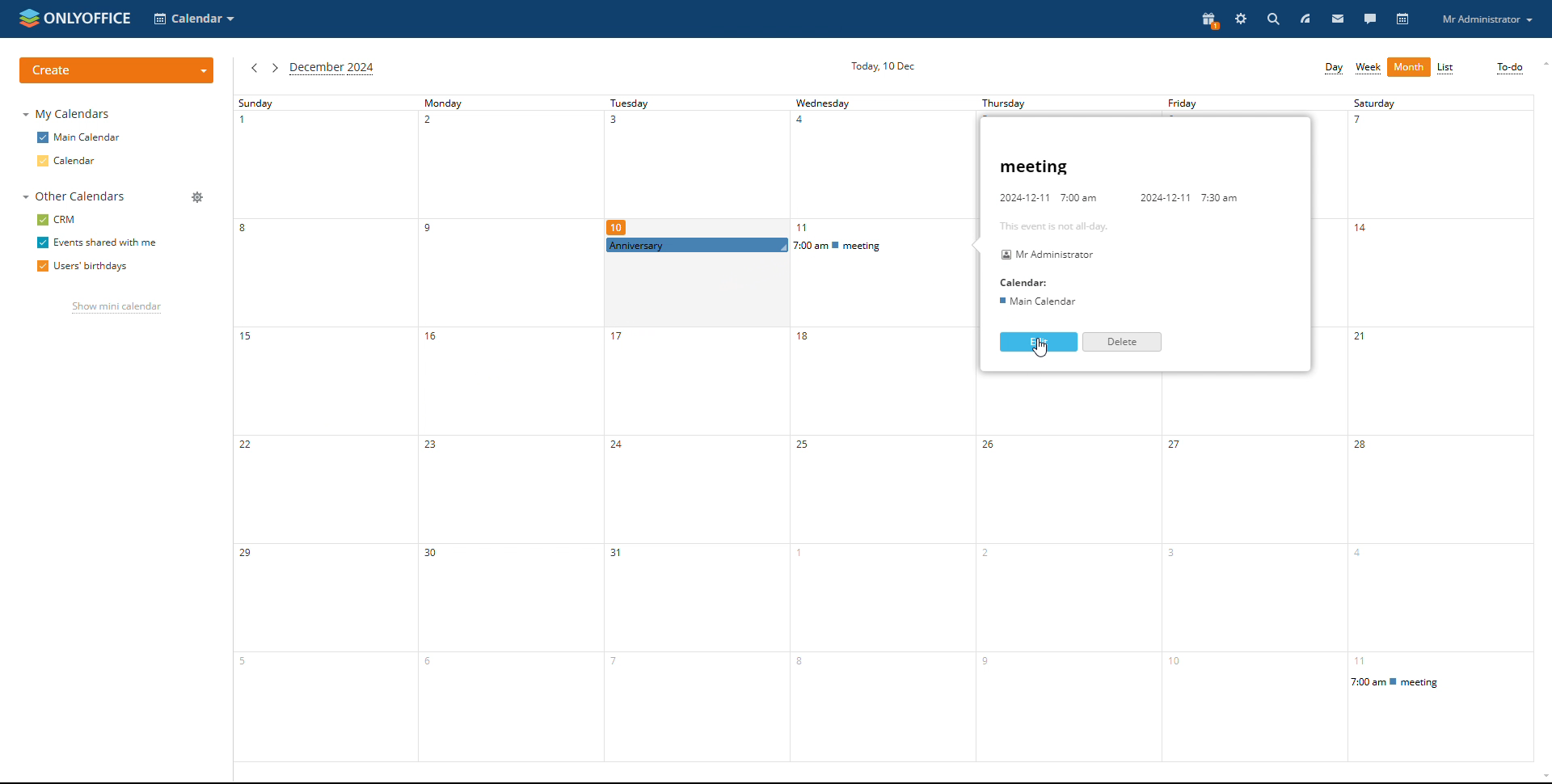 The height and width of the screenshot is (784, 1552). Describe the element at coordinates (1305, 19) in the screenshot. I see `feed` at that location.